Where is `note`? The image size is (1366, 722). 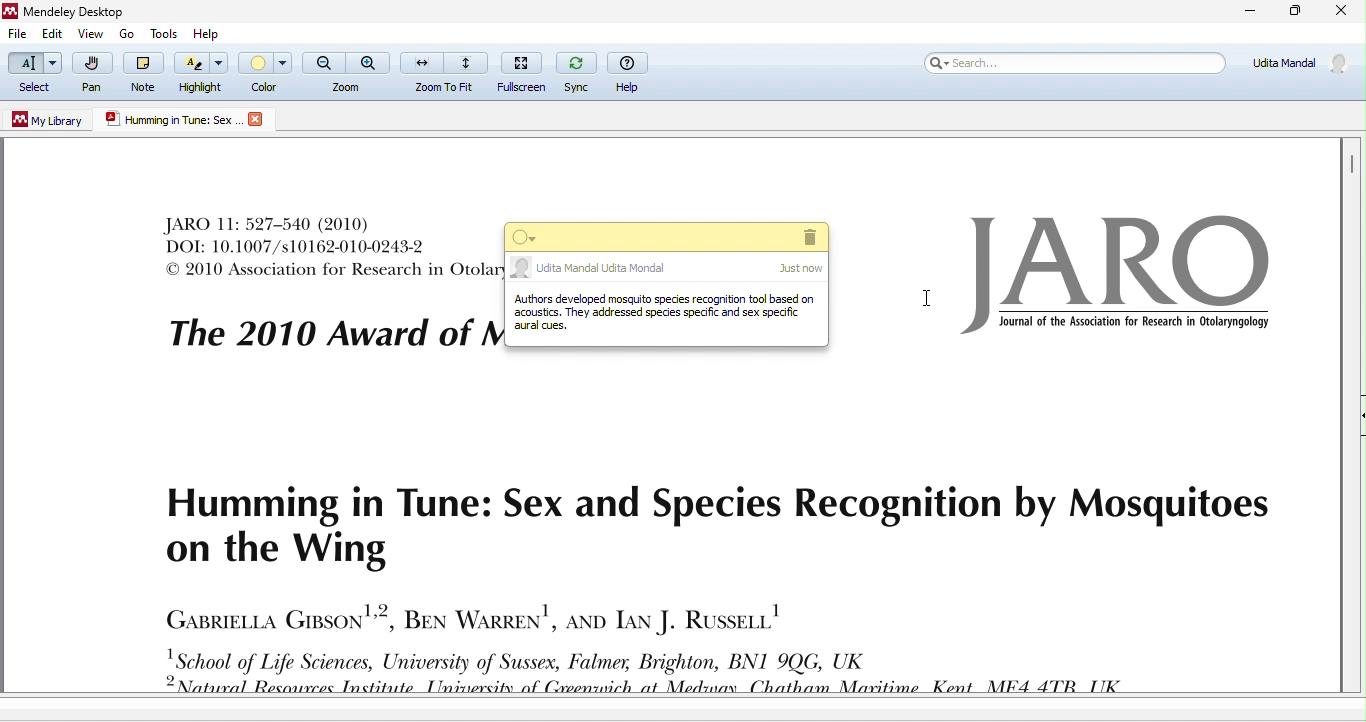 note is located at coordinates (666, 319).